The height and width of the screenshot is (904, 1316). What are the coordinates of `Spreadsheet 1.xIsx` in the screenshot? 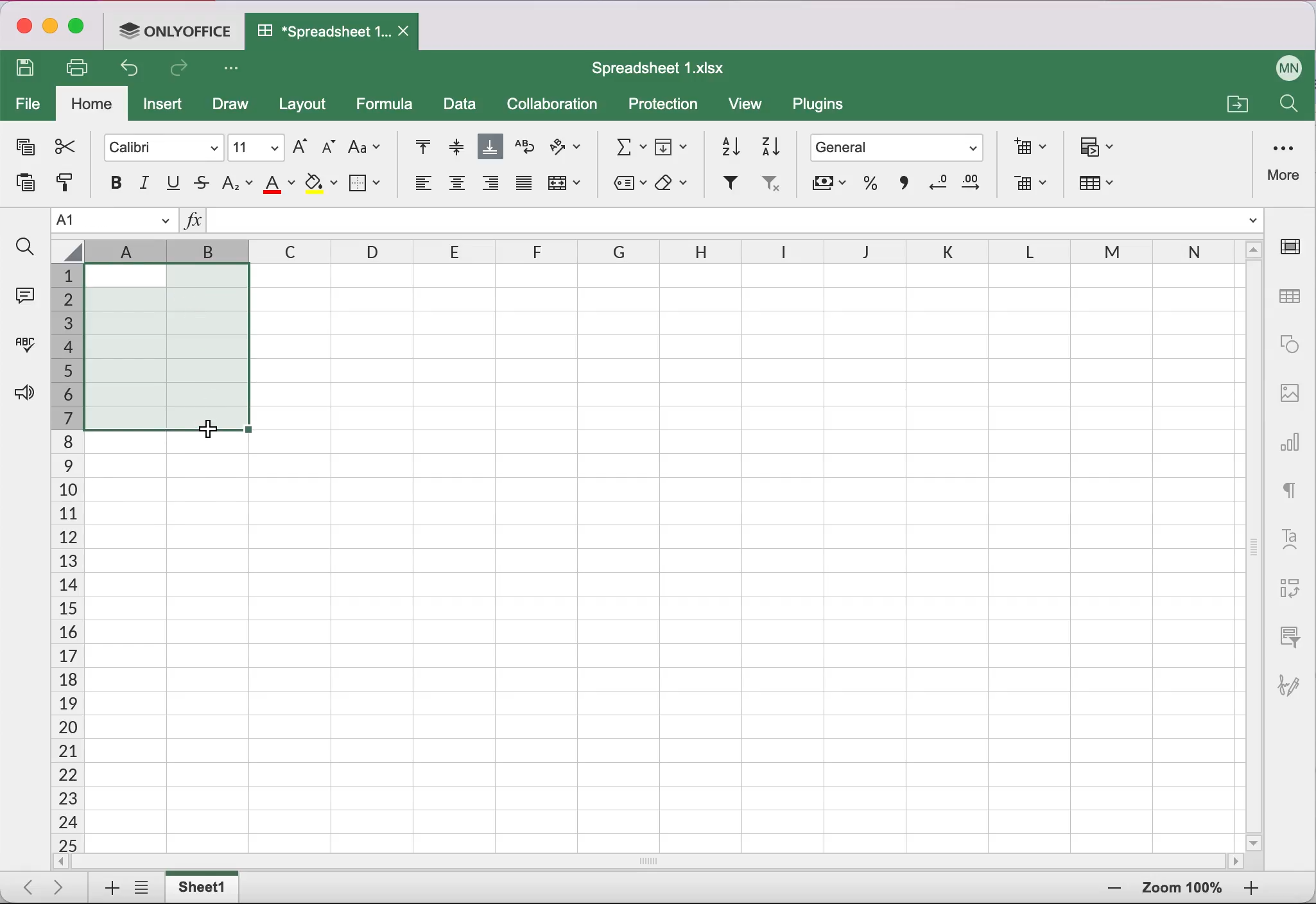 It's located at (666, 68).